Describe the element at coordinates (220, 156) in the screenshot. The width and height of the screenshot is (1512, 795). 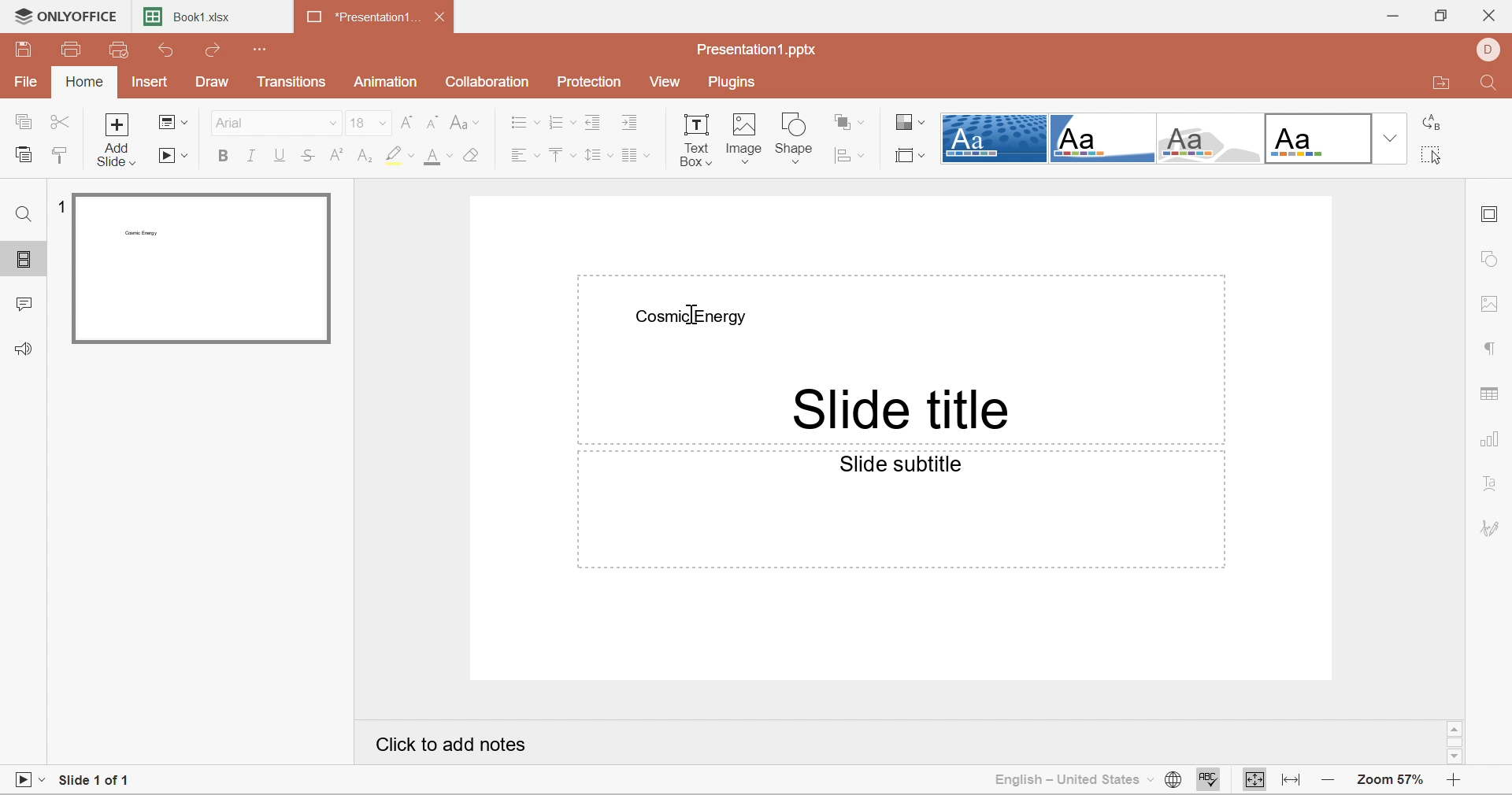
I see `Bold` at that location.